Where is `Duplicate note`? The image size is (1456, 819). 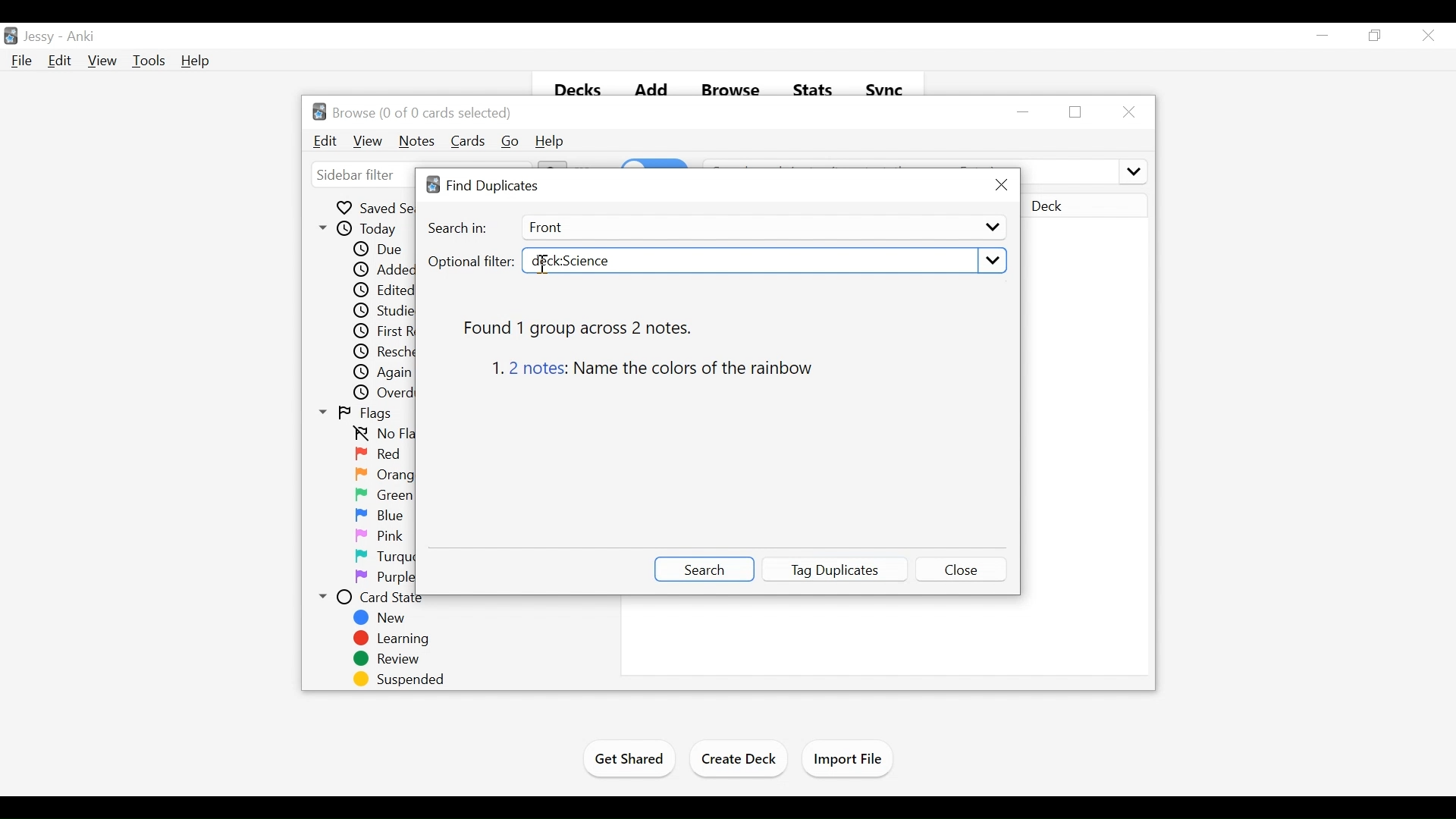 Duplicate note is located at coordinates (661, 370).